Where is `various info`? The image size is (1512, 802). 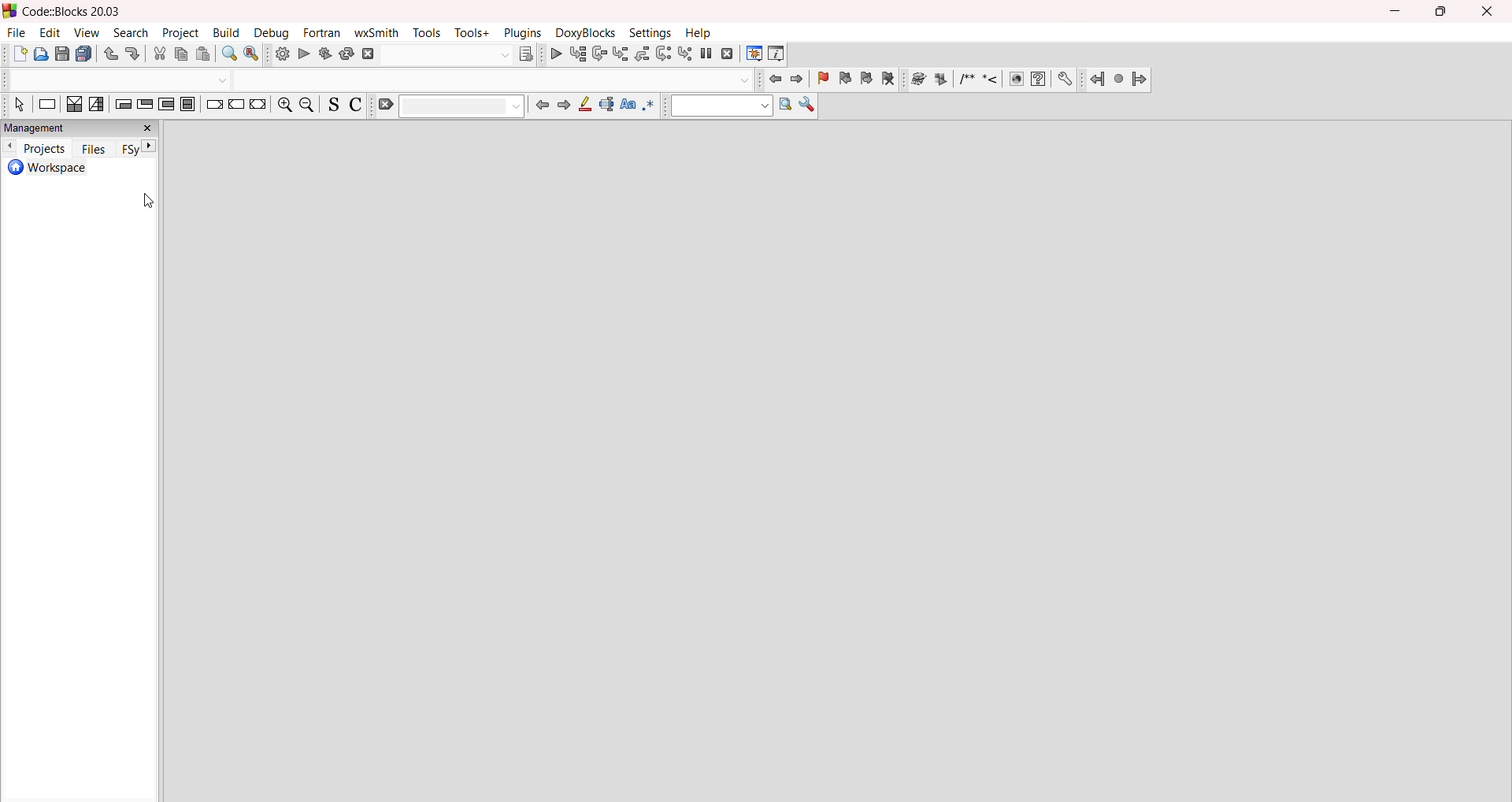
various info is located at coordinates (776, 54).